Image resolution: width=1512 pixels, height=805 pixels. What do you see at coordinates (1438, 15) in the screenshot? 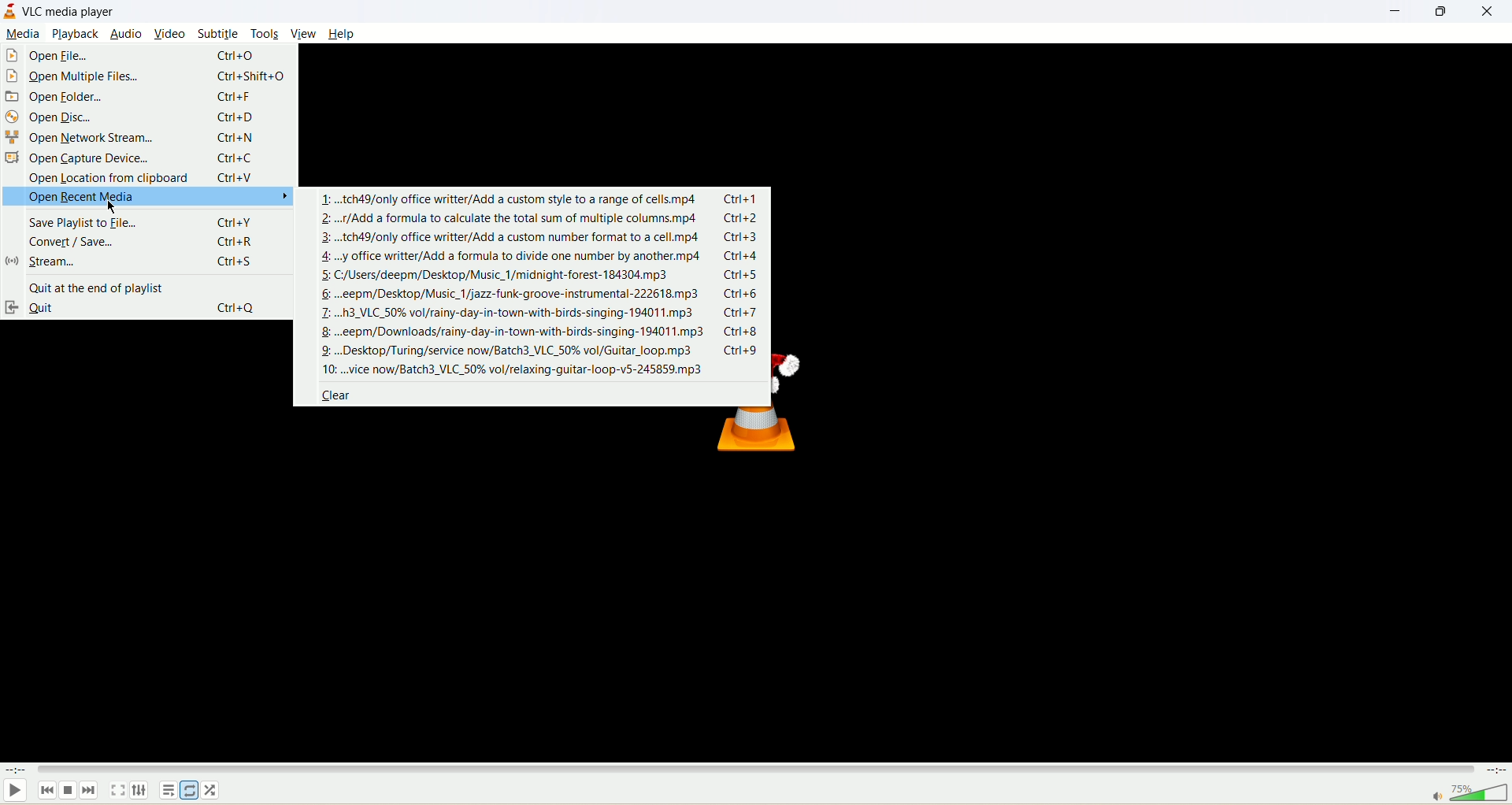
I see `maximize` at bounding box center [1438, 15].